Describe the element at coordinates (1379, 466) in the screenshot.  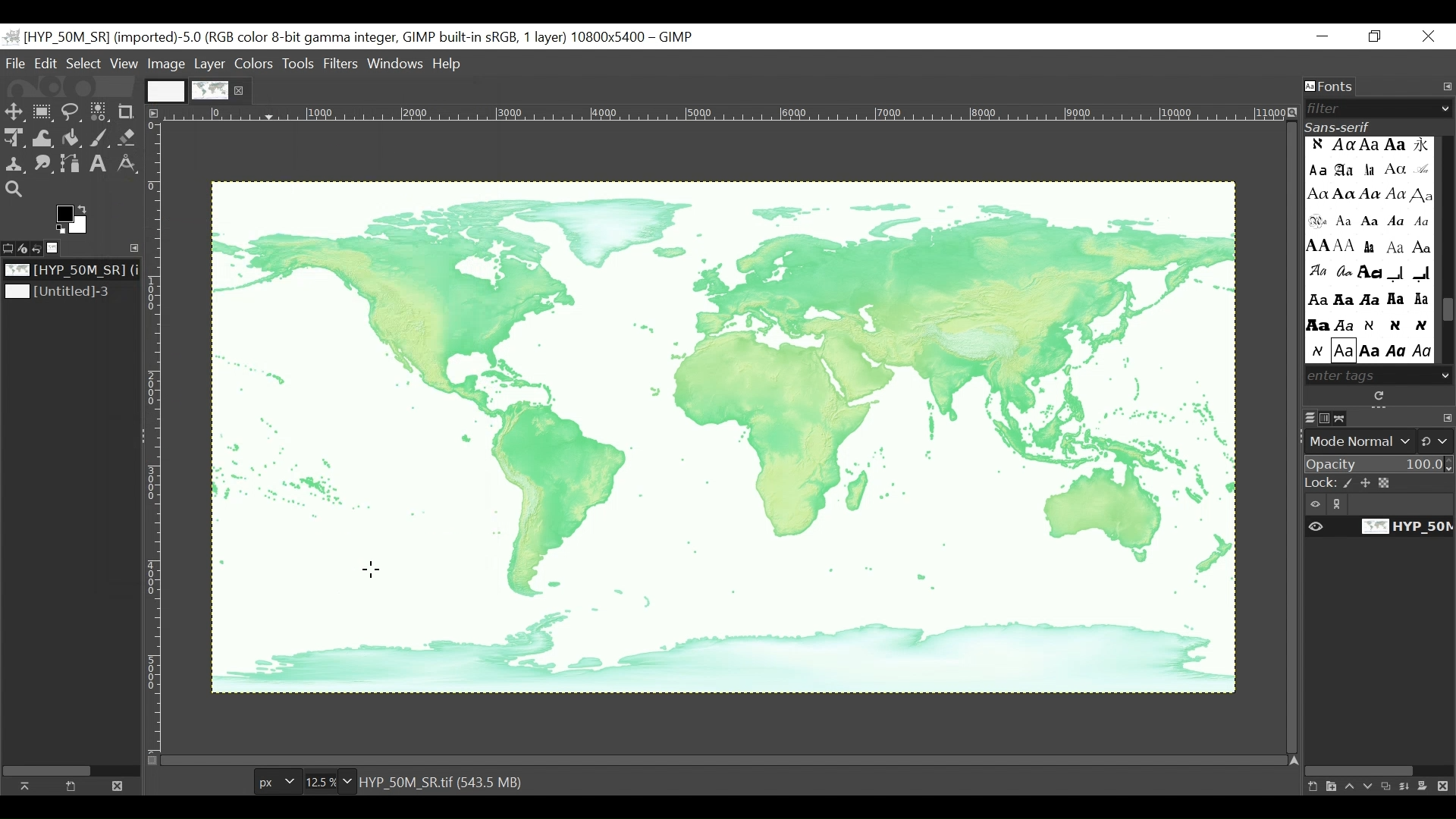
I see `Opacity` at that location.